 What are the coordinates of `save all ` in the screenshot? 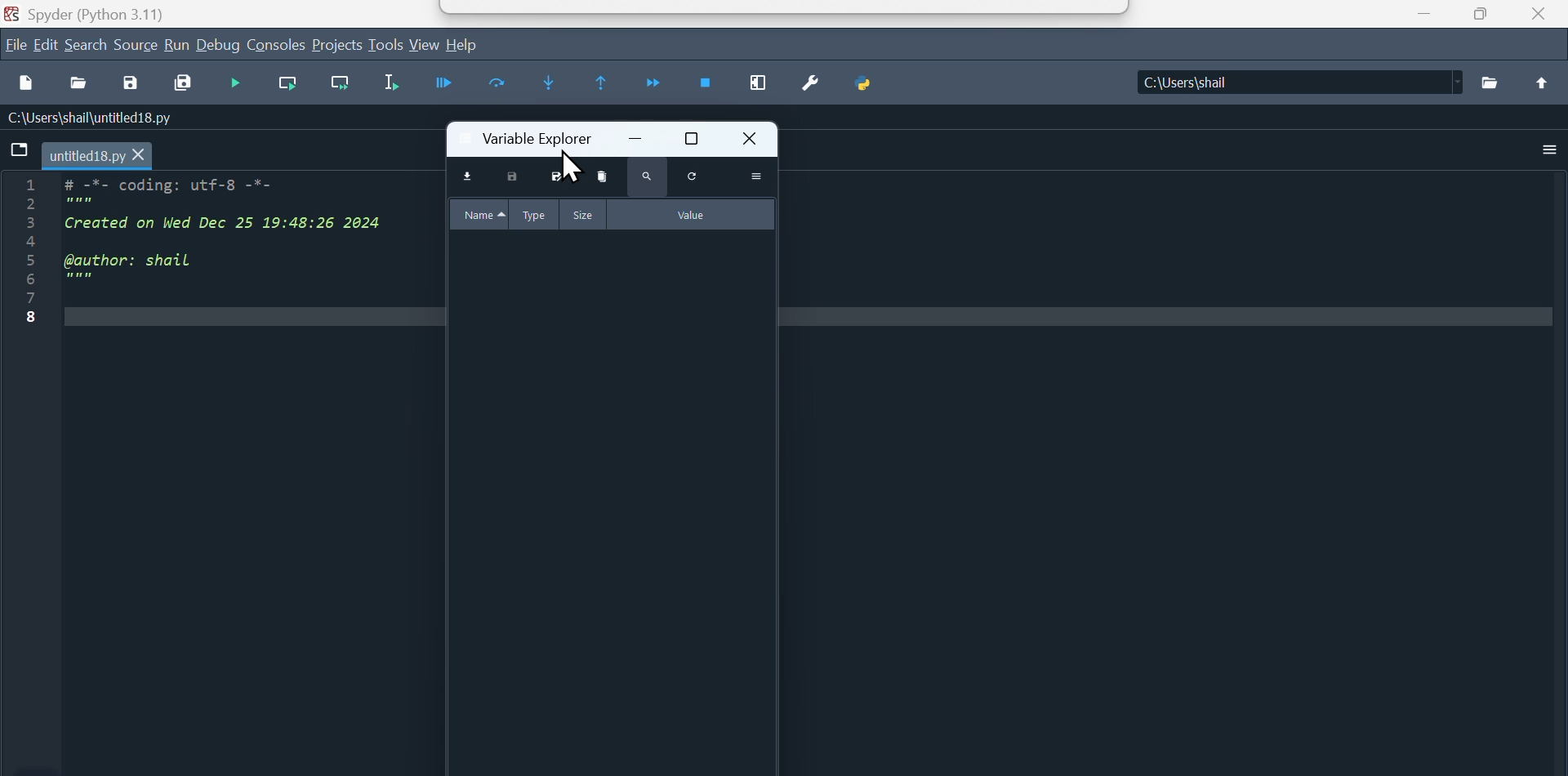 It's located at (559, 178).